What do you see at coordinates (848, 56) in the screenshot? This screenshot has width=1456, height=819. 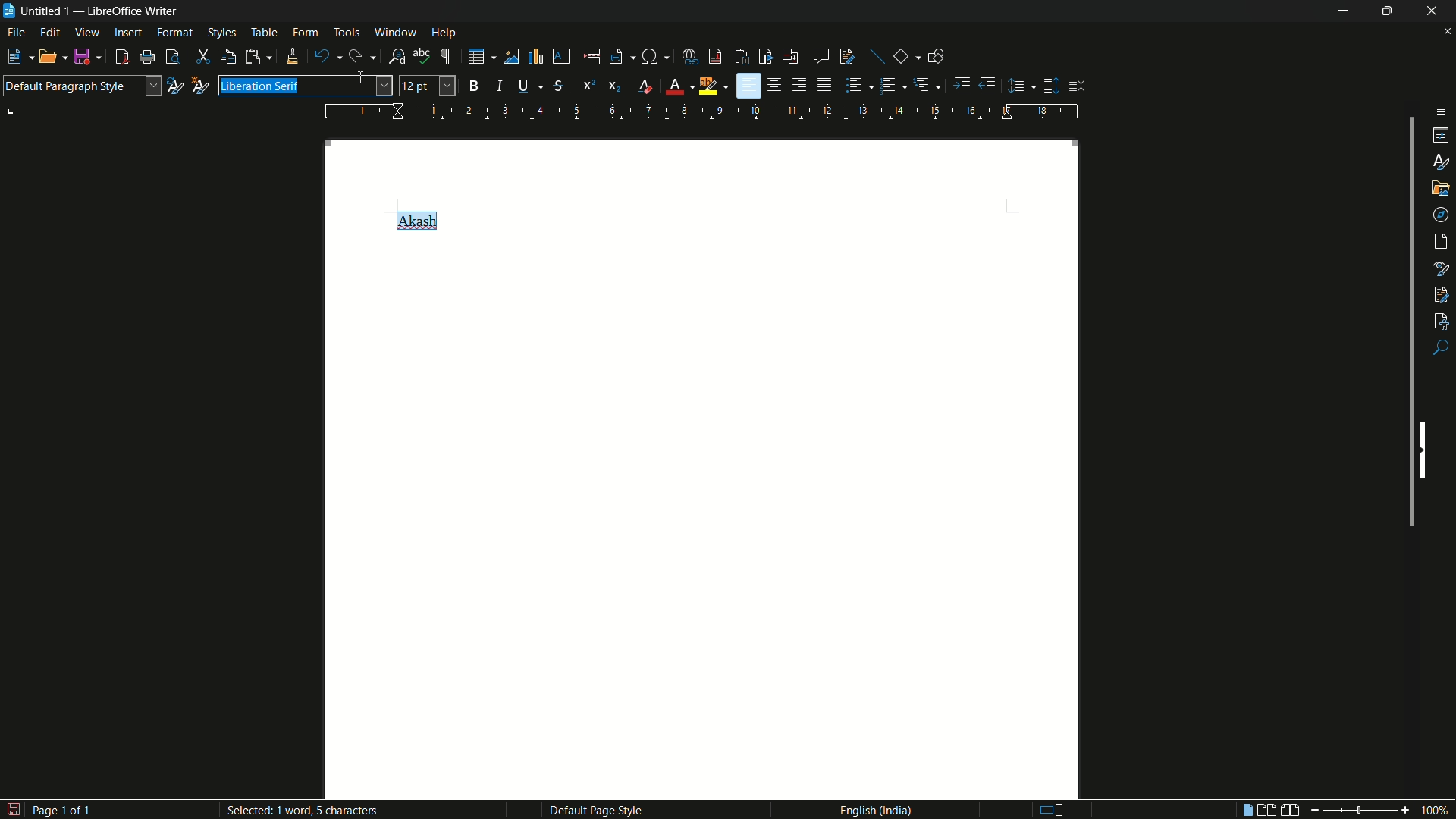 I see `show track changes functions` at bounding box center [848, 56].